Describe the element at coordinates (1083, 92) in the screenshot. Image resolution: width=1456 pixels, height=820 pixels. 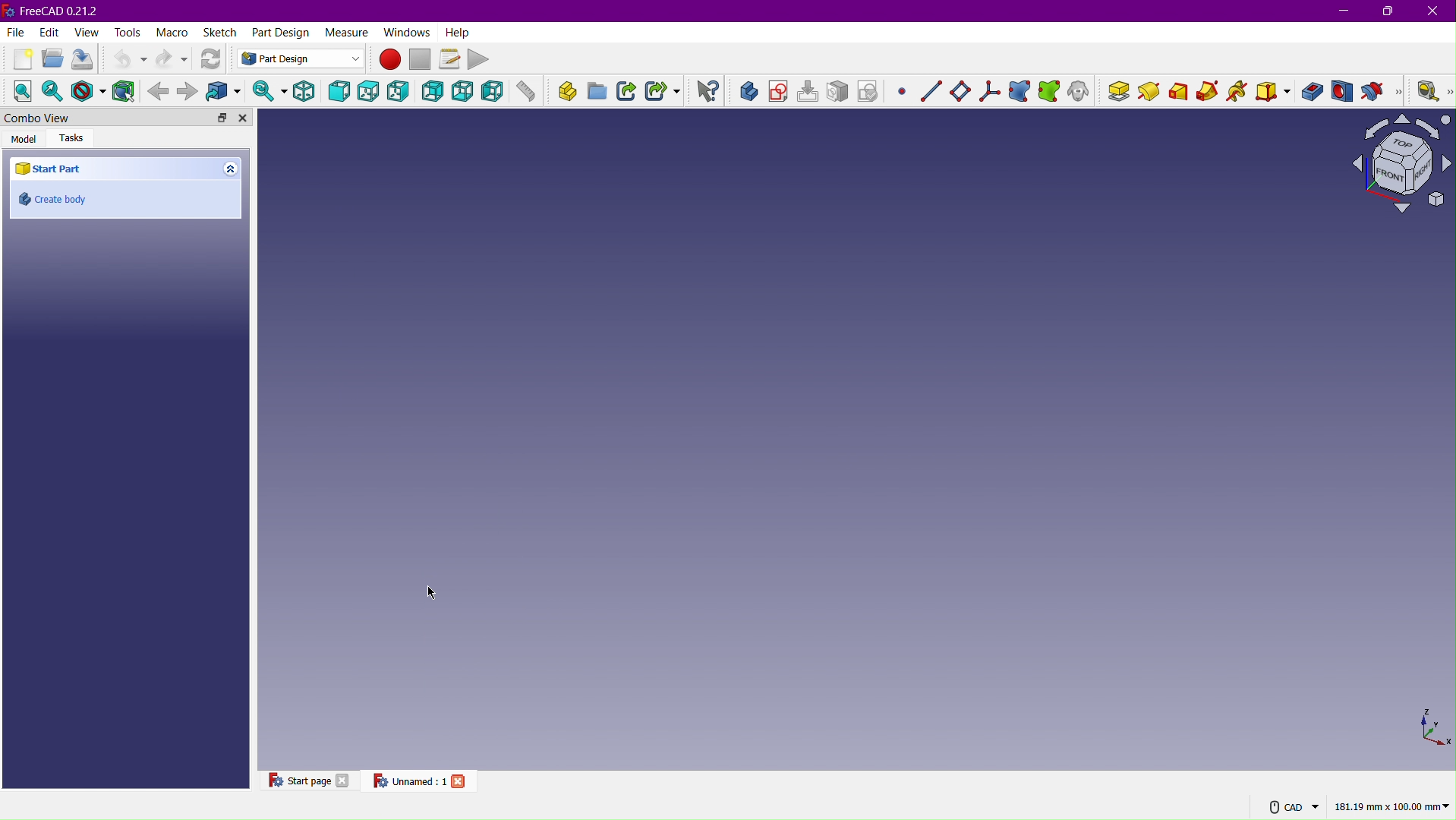
I see `Create a clone` at that location.